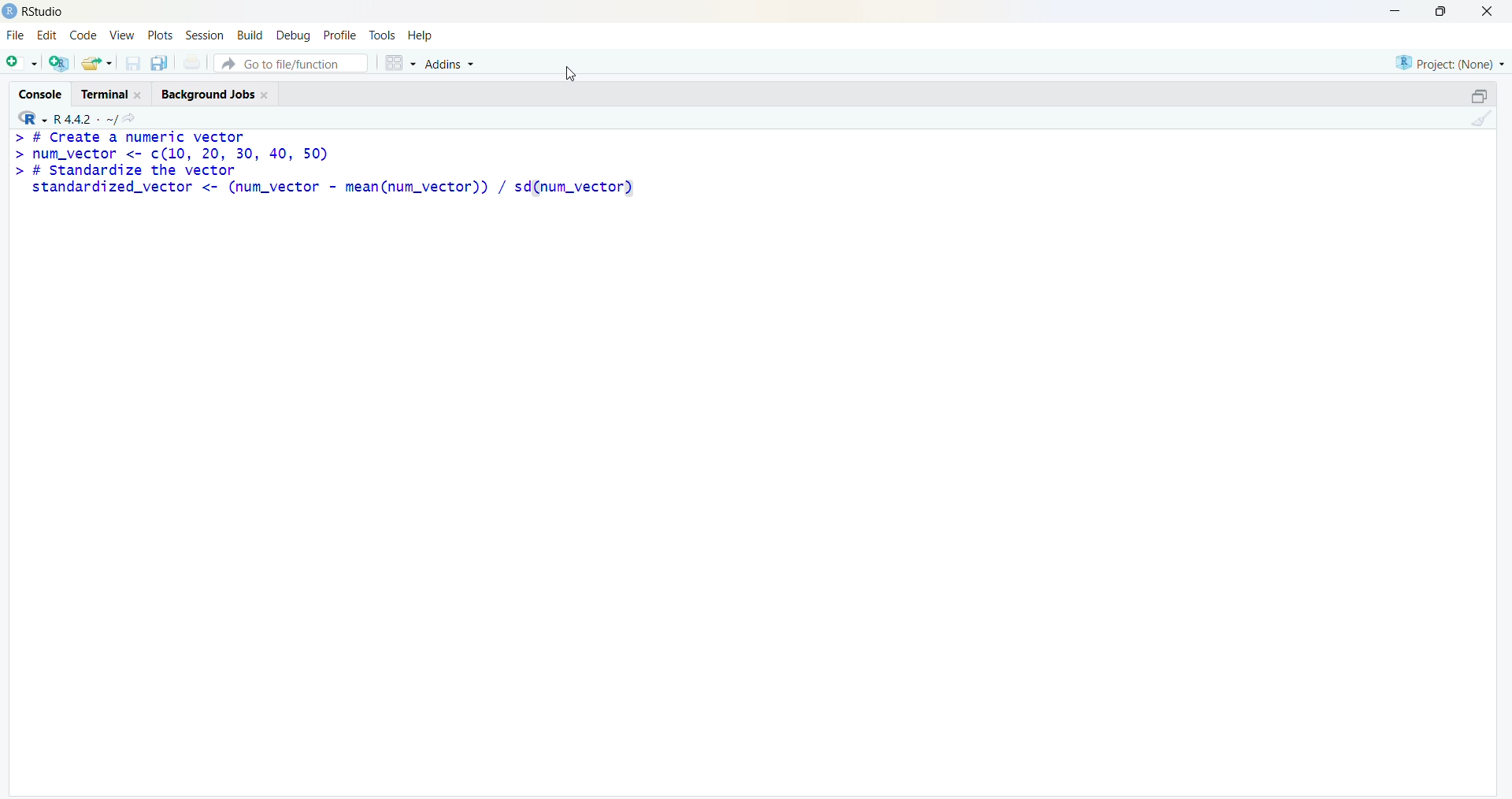 The image size is (1512, 799). I want to click on cursor, so click(571, 73).